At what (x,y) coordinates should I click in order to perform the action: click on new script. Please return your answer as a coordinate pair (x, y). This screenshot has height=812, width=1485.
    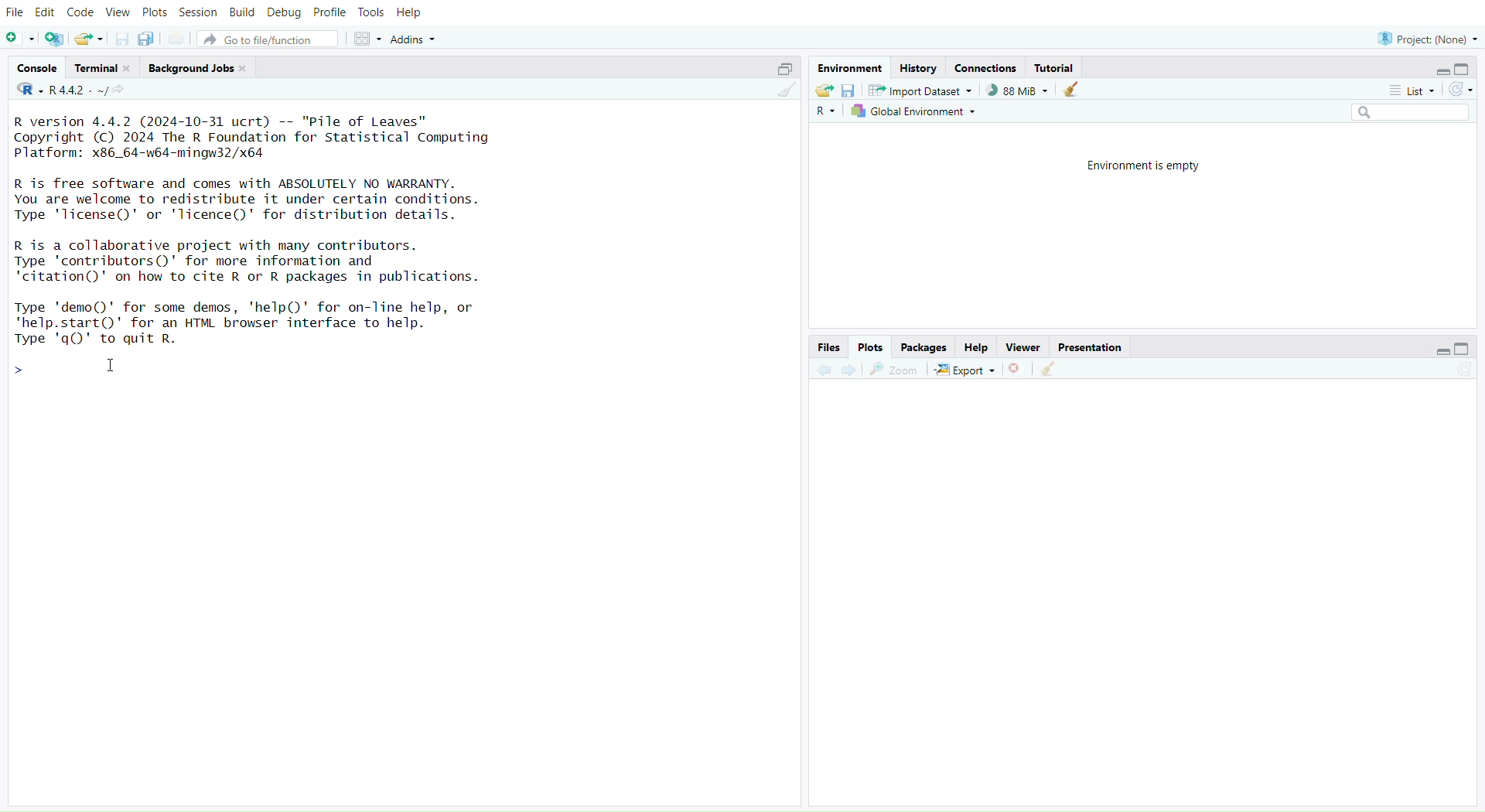
    Looking at the image, I should click on (20, 40).